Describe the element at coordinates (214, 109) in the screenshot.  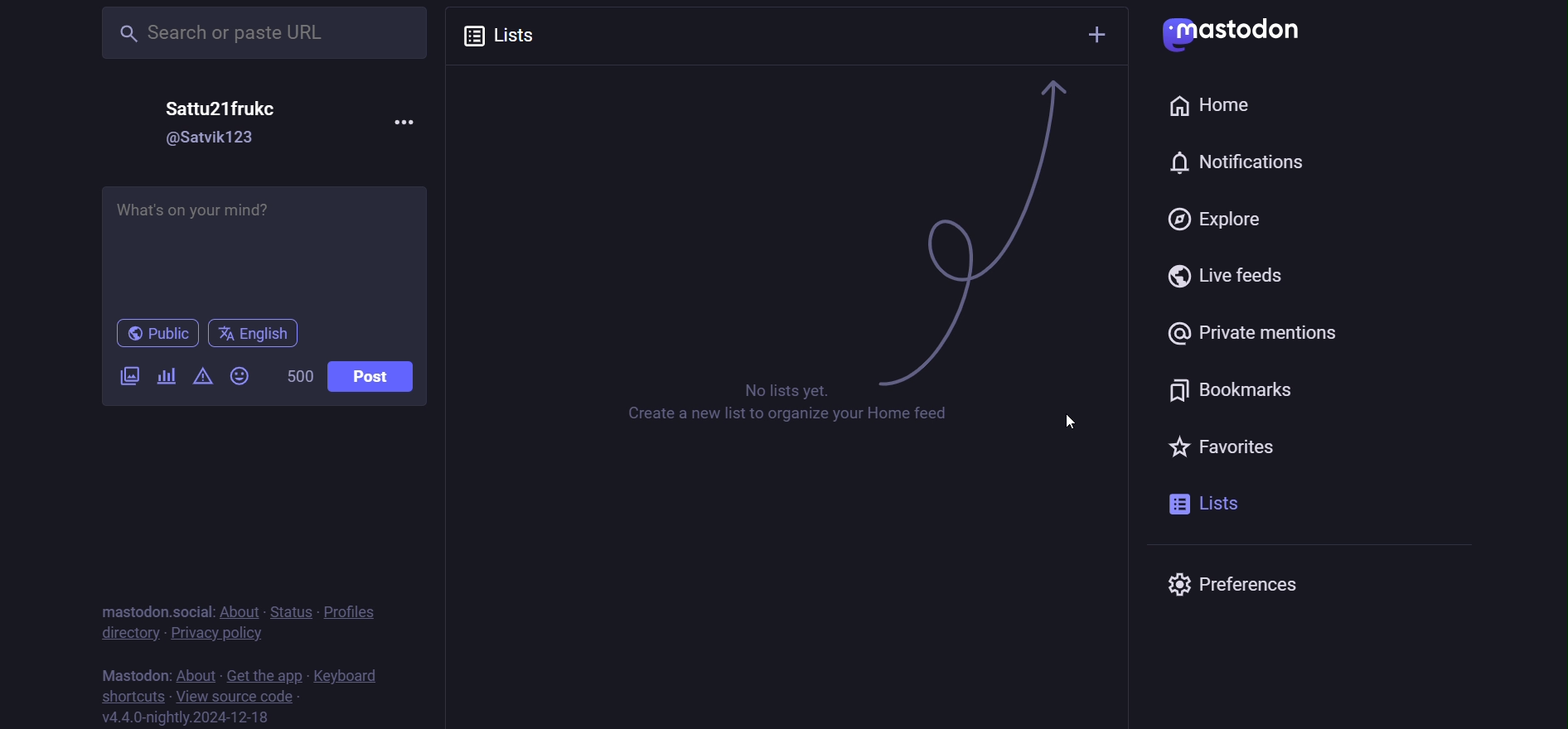
I see `Sattu21frukc` at that location.